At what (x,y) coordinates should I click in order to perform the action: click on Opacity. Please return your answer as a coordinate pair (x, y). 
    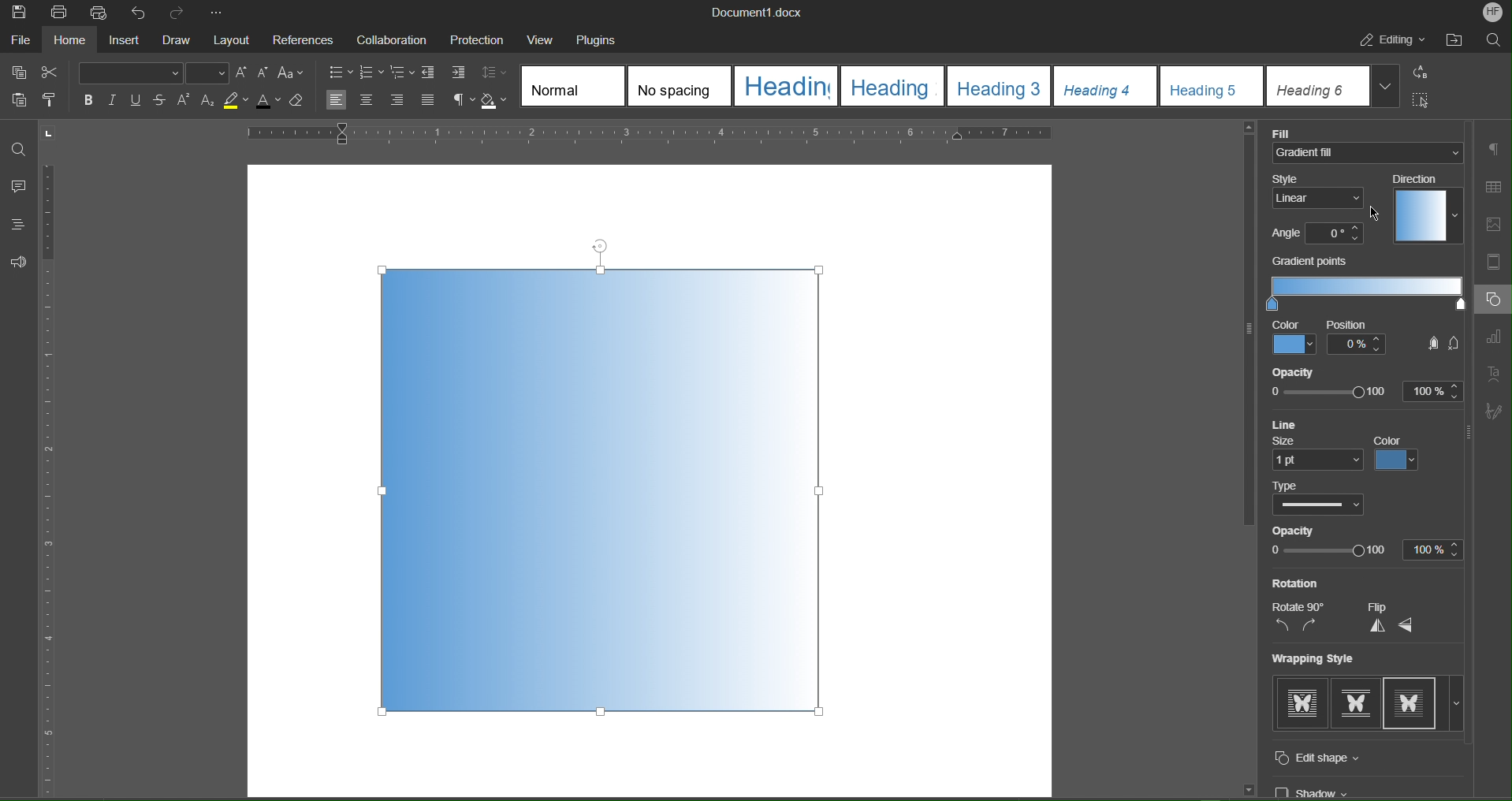
    Looking at the image, I should click on (1302, 531).